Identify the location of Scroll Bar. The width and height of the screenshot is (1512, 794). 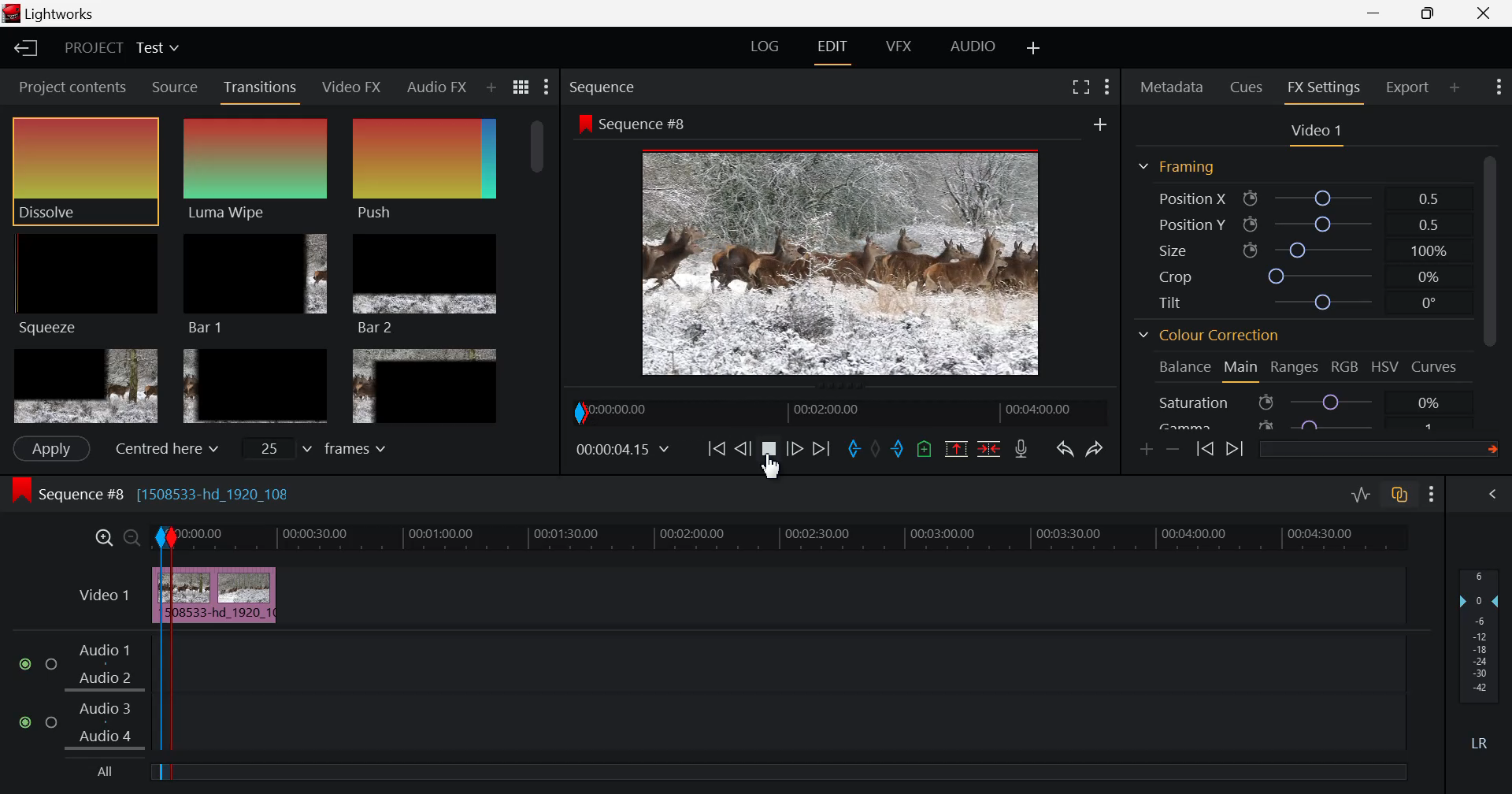
(539, 270).